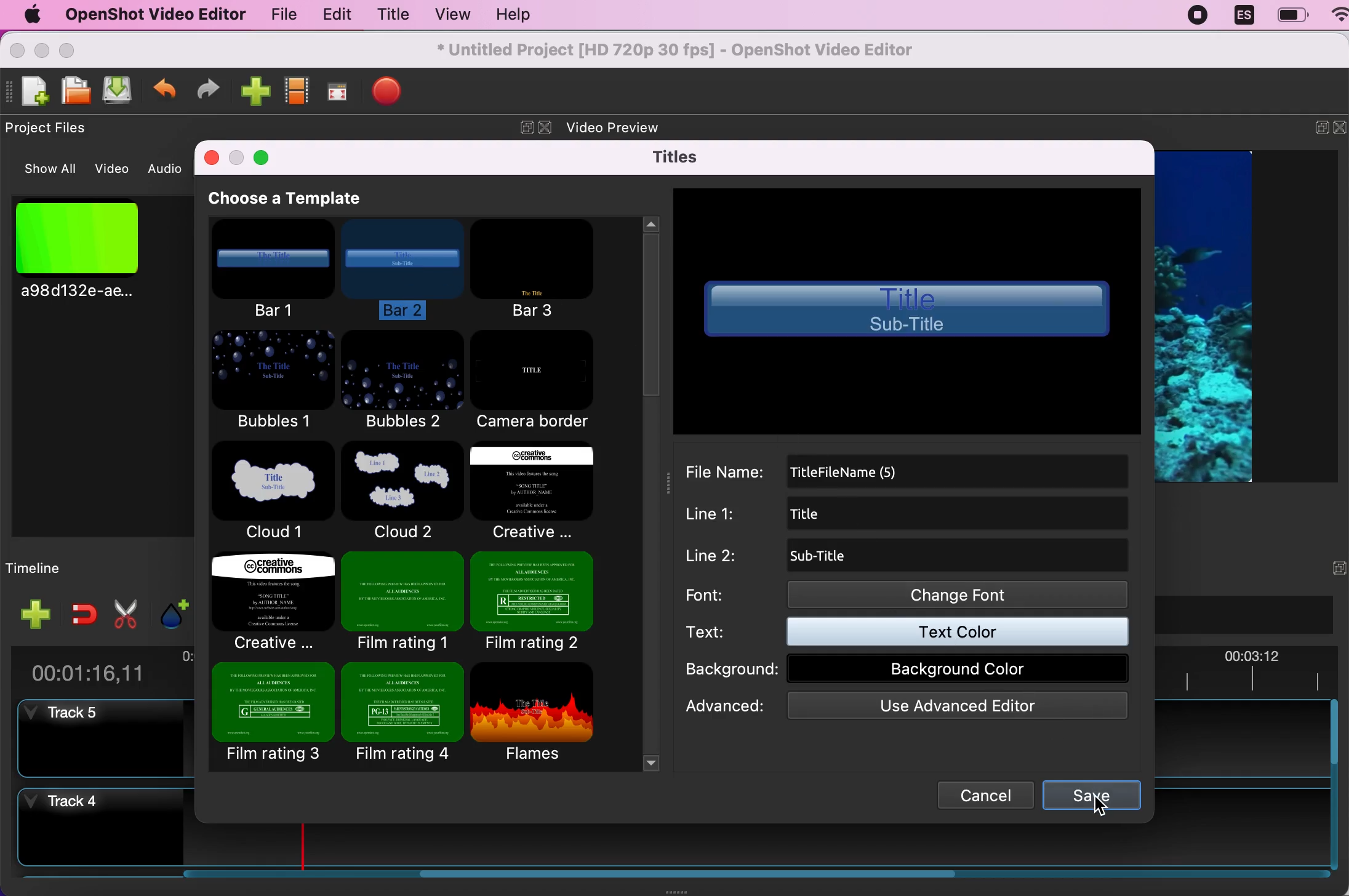 The width and height of the screenshot is (1349, 896). I want to click on minimize, so click(1312, 130).